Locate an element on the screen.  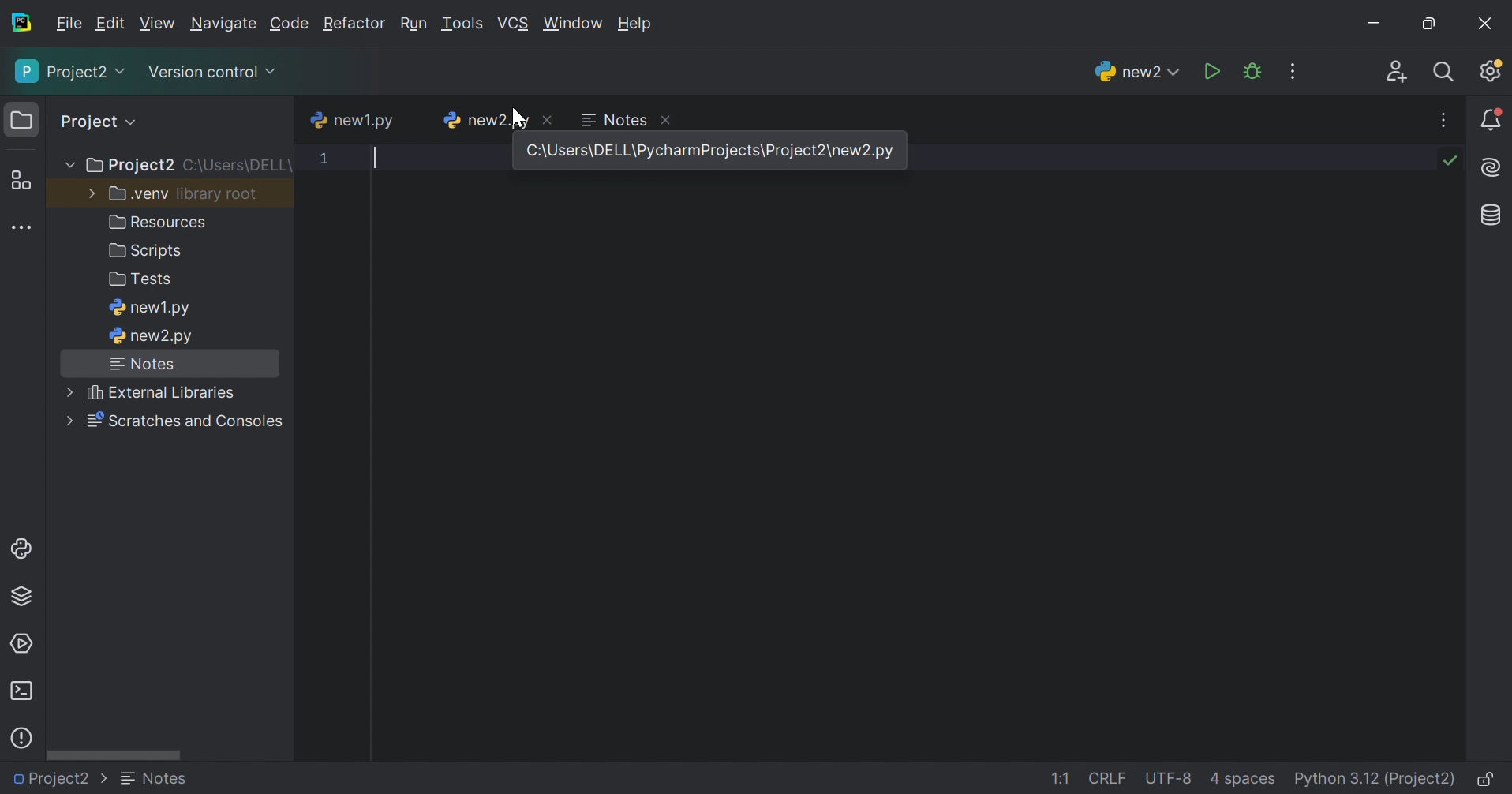
Restore down is located at coordinates (1426, 24).